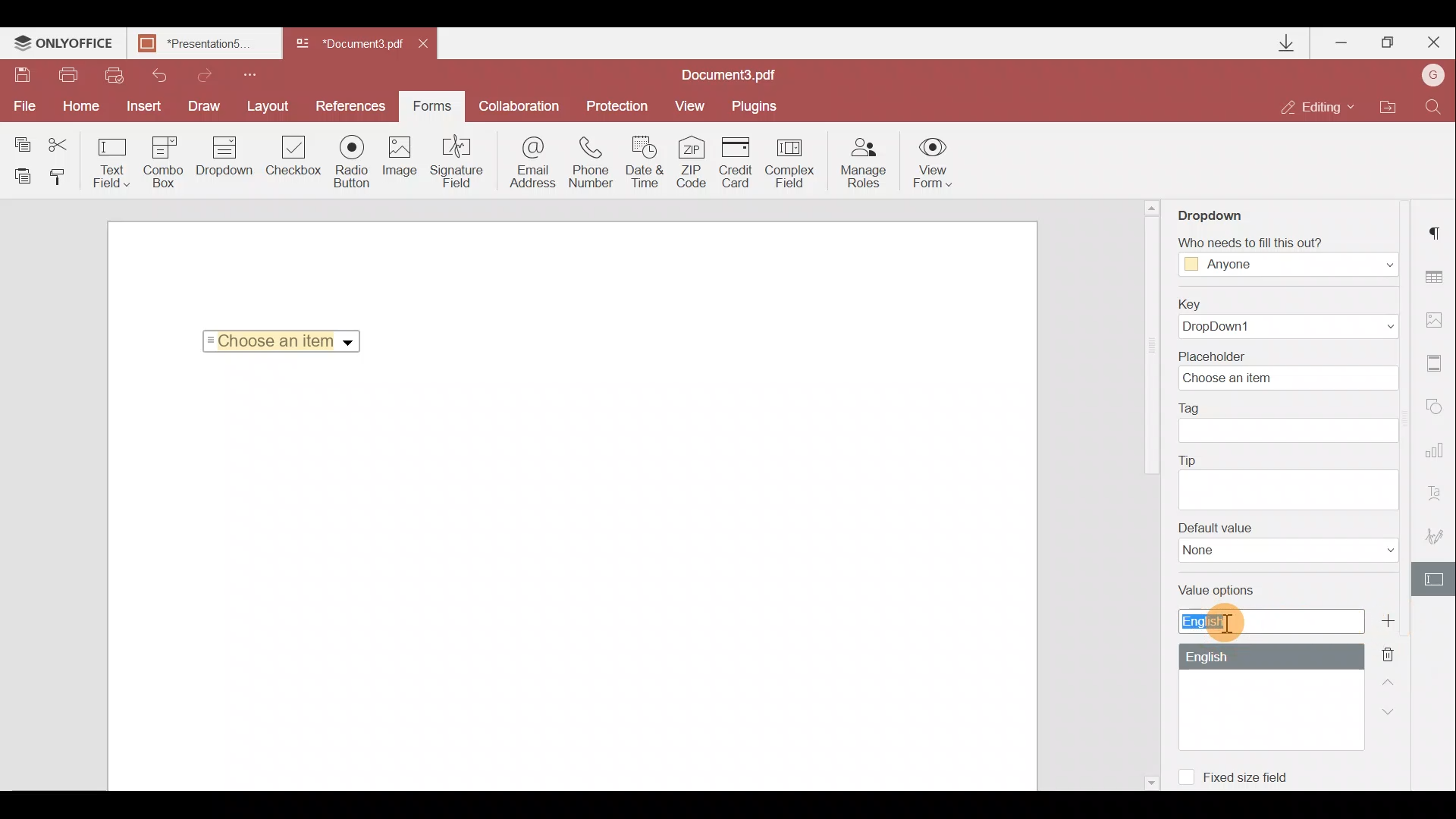  Describe the element at coordinates (428, 41) in the screenshot. I see `Close` at that location.